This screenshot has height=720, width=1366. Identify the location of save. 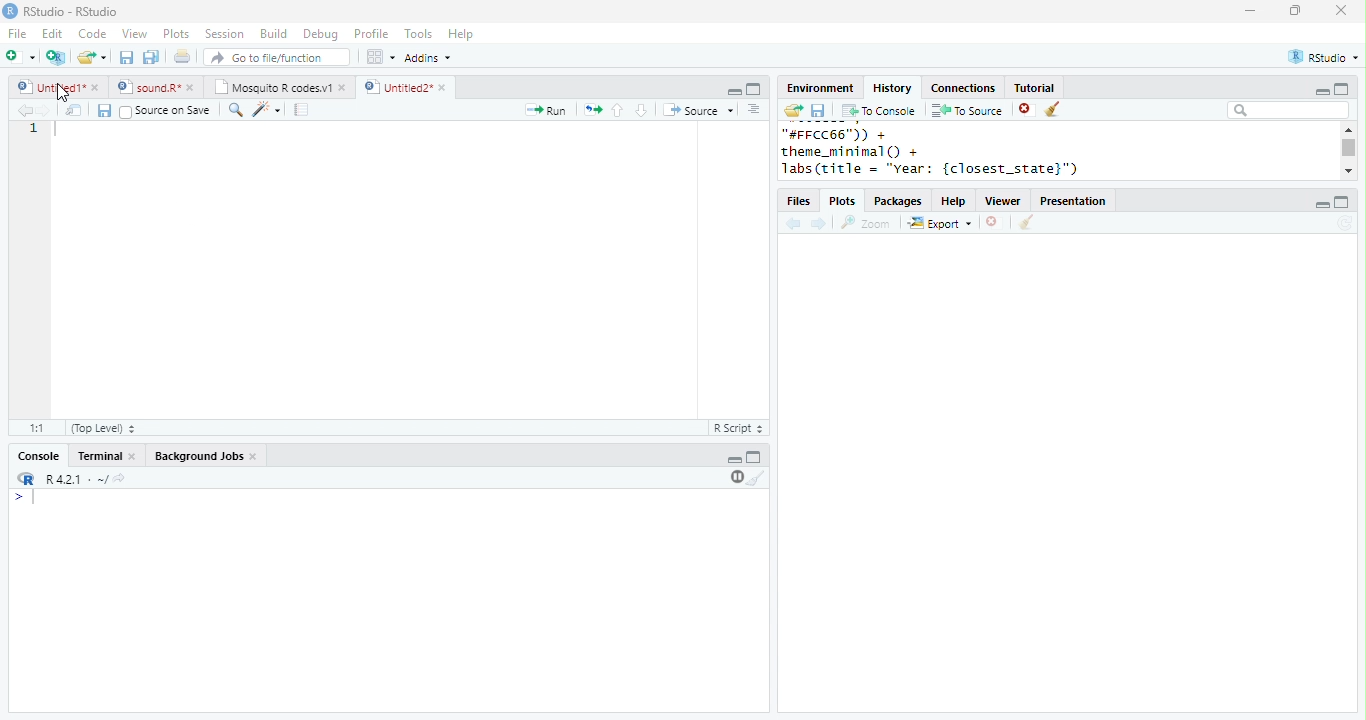
(818, 110).